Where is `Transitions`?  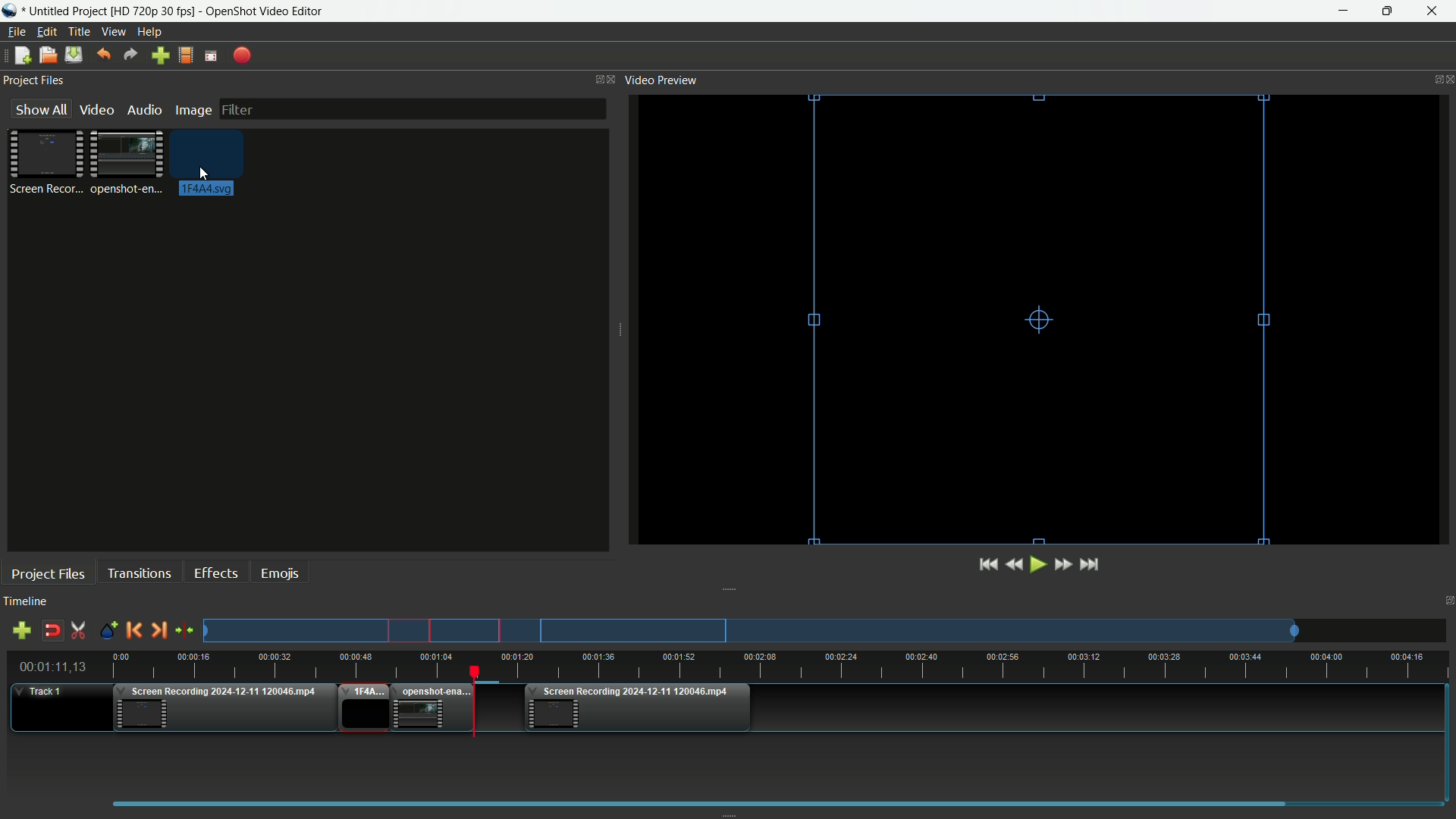 Transitions is located at coordinates (139, 573).